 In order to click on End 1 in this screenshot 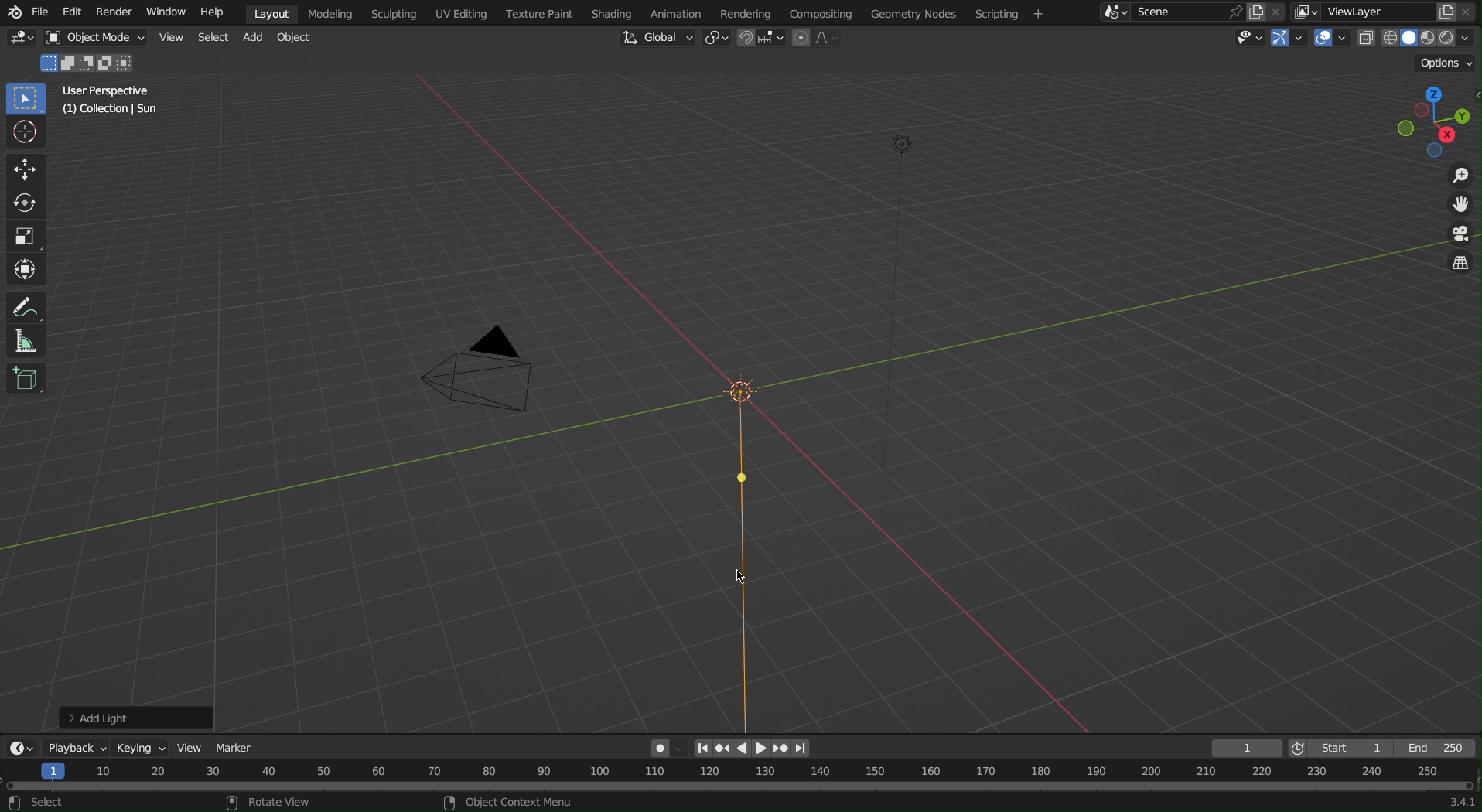, I will do `click(1443, 749)`.